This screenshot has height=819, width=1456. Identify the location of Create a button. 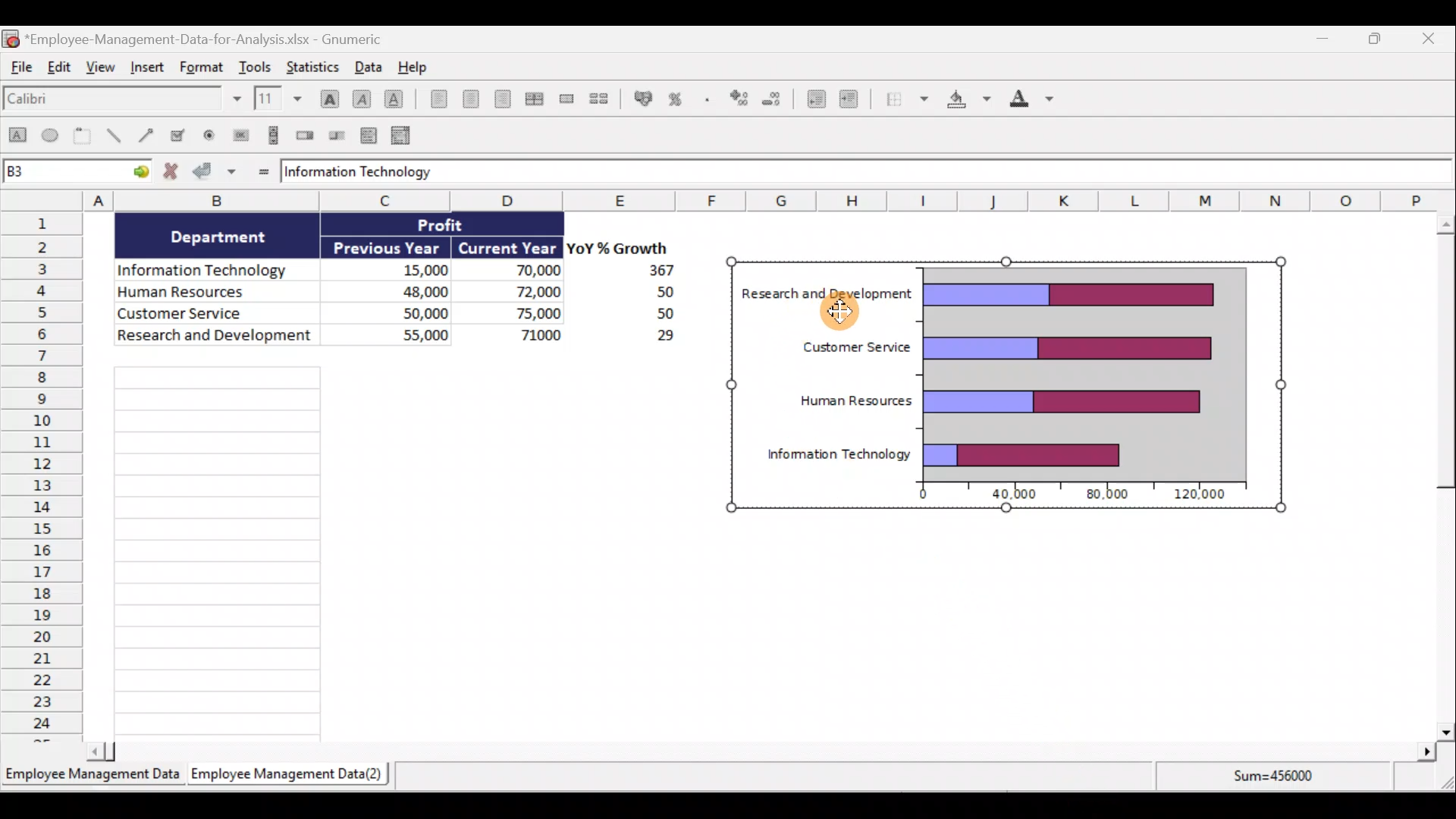
(238, 136).